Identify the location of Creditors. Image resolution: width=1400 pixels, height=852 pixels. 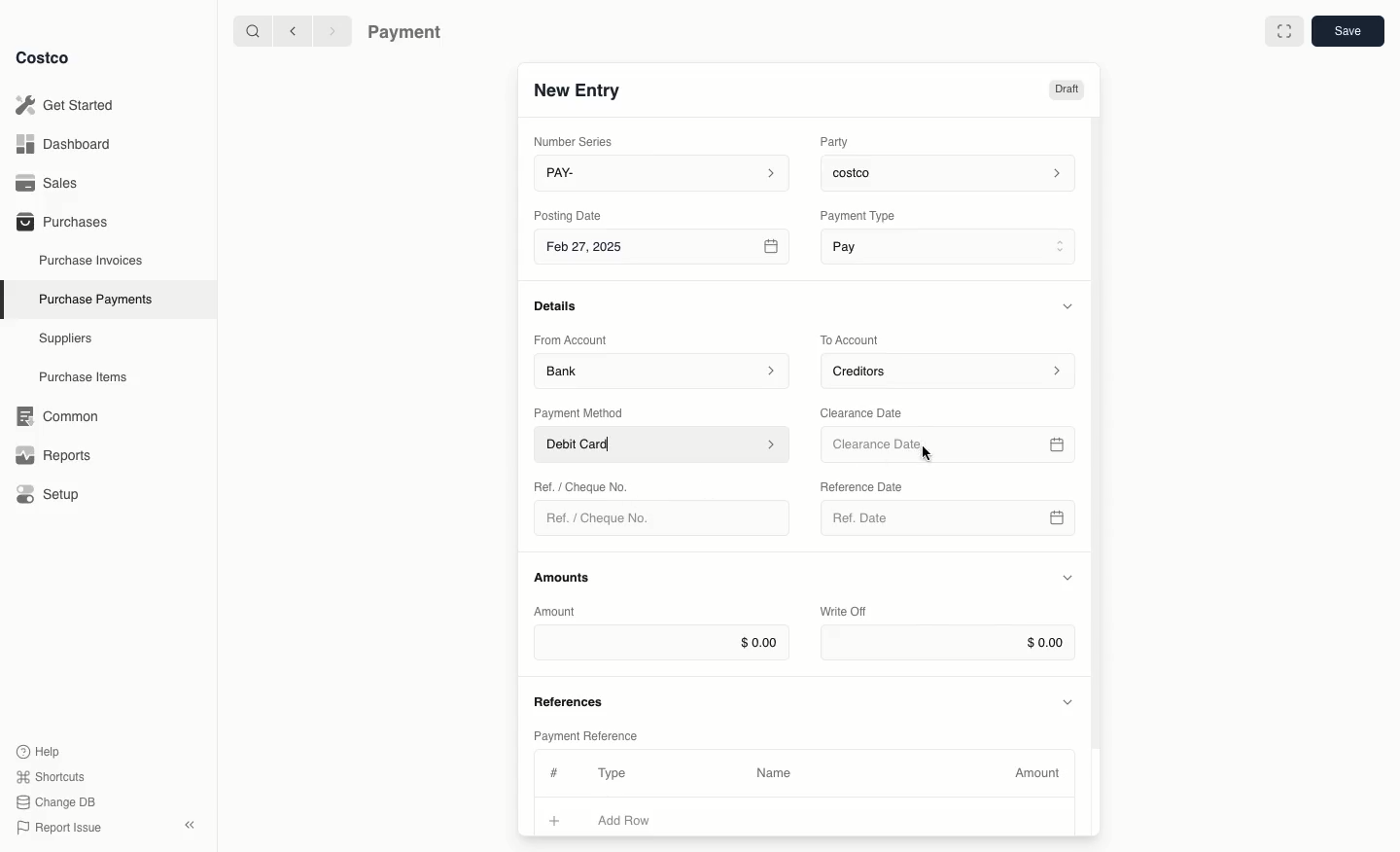
(951, 370).